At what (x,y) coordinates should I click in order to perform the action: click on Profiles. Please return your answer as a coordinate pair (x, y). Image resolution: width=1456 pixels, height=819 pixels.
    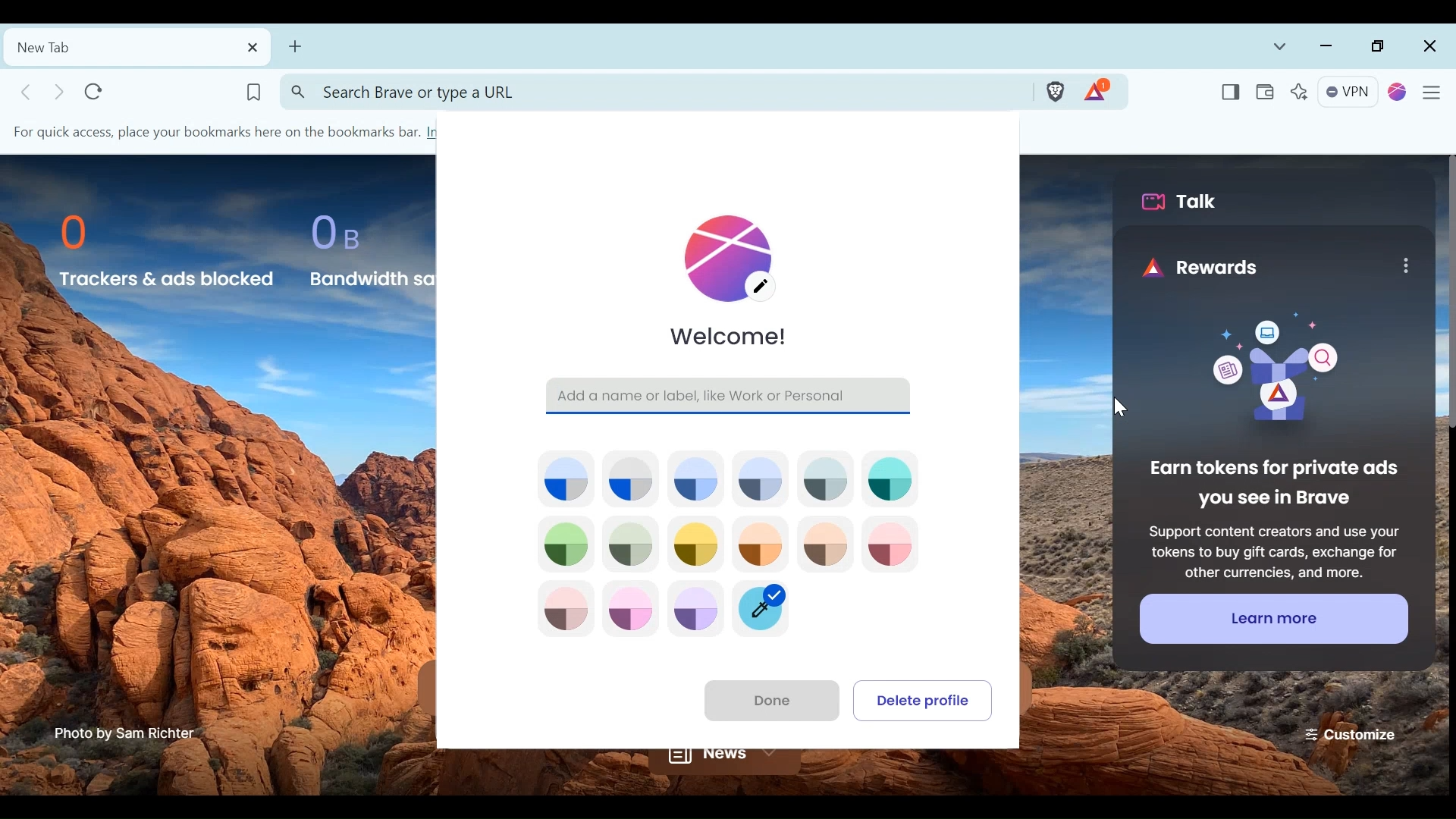
    Looking at the image, I should click on (1398, 93).